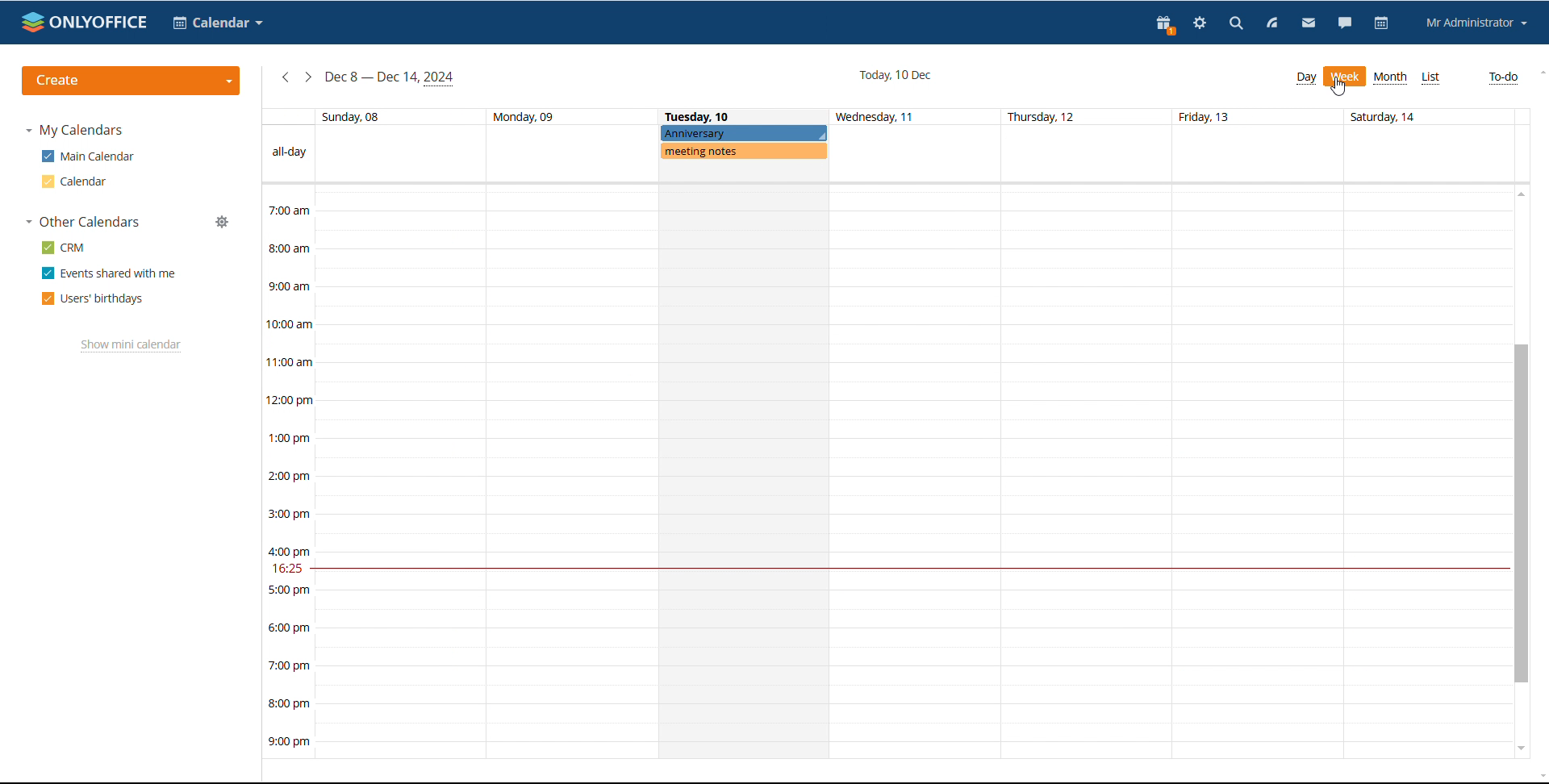 The width and height of the screenshot is (1549, 784). I want to click on current week, so click(390, 79).